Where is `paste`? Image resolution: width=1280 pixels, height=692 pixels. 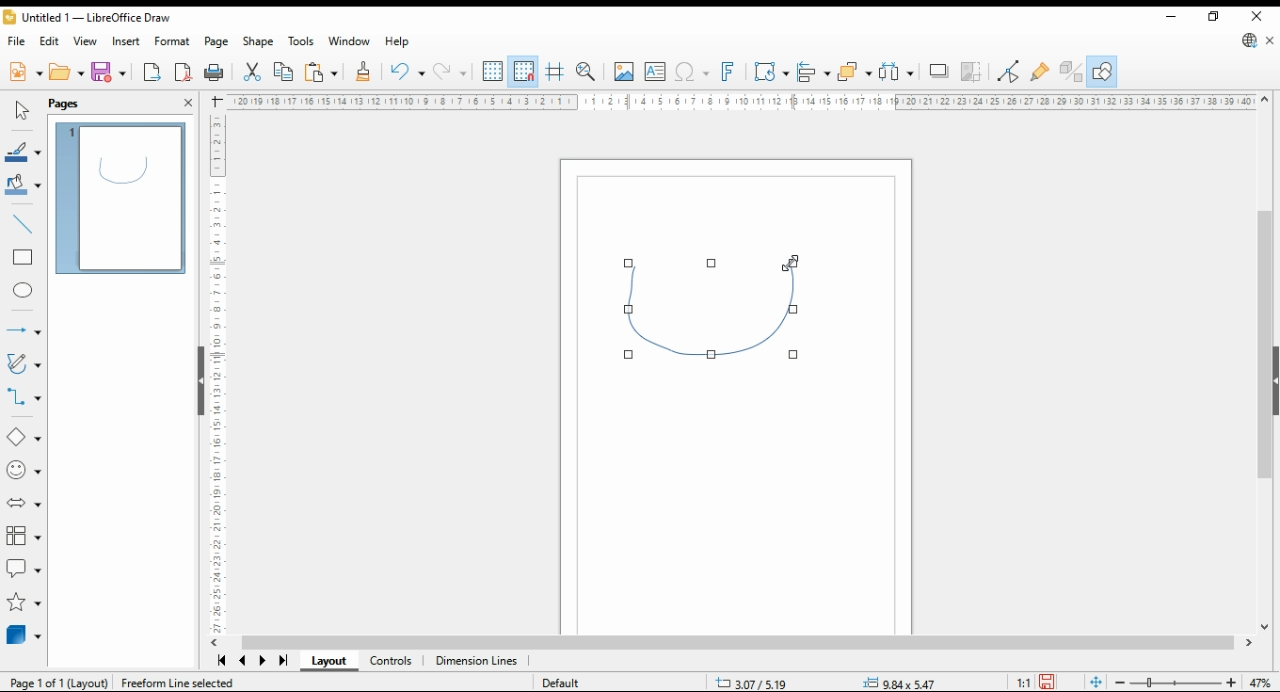 paste is located at coordinates (320, 74).